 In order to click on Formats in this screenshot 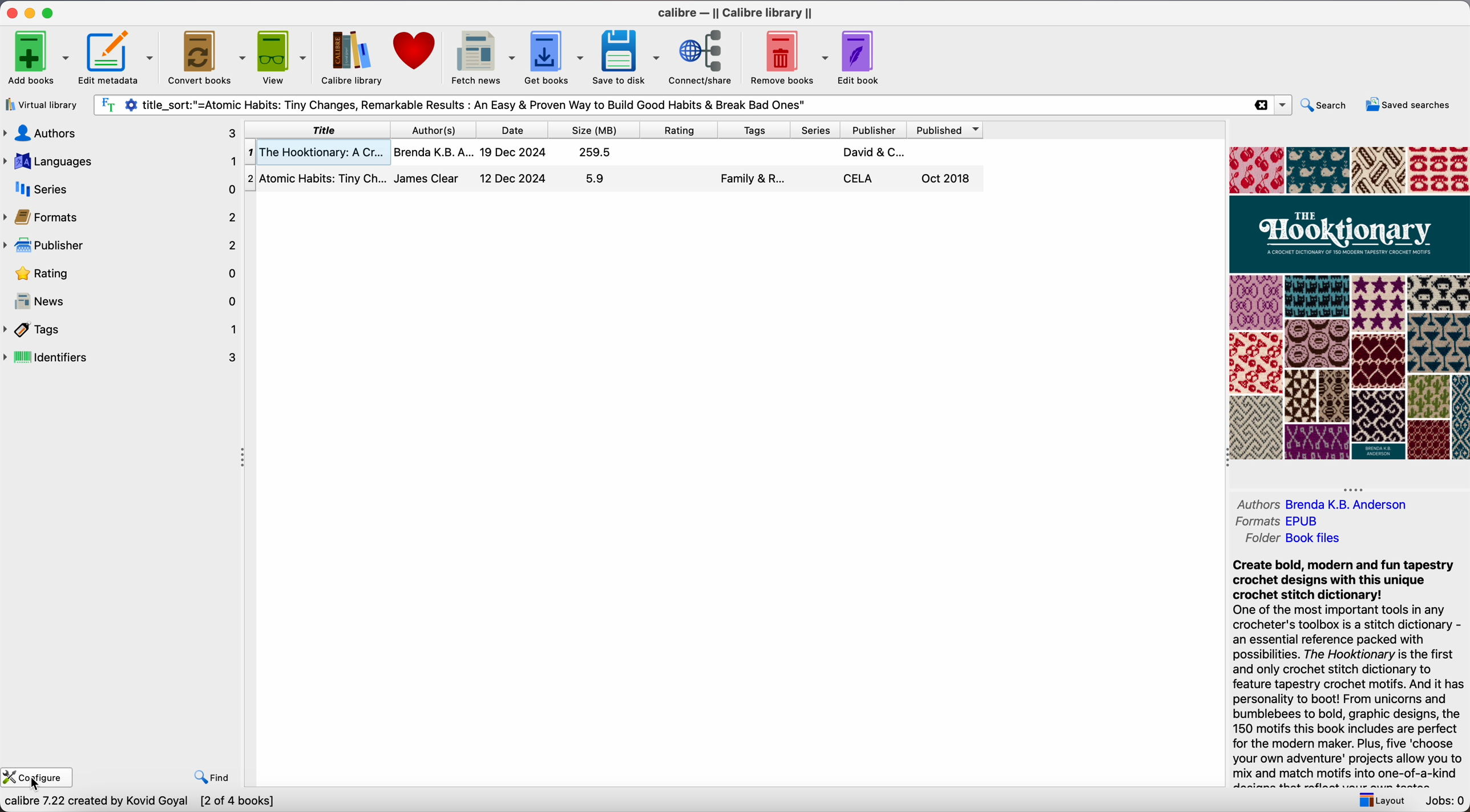, I will do `click(1257, 523)`.